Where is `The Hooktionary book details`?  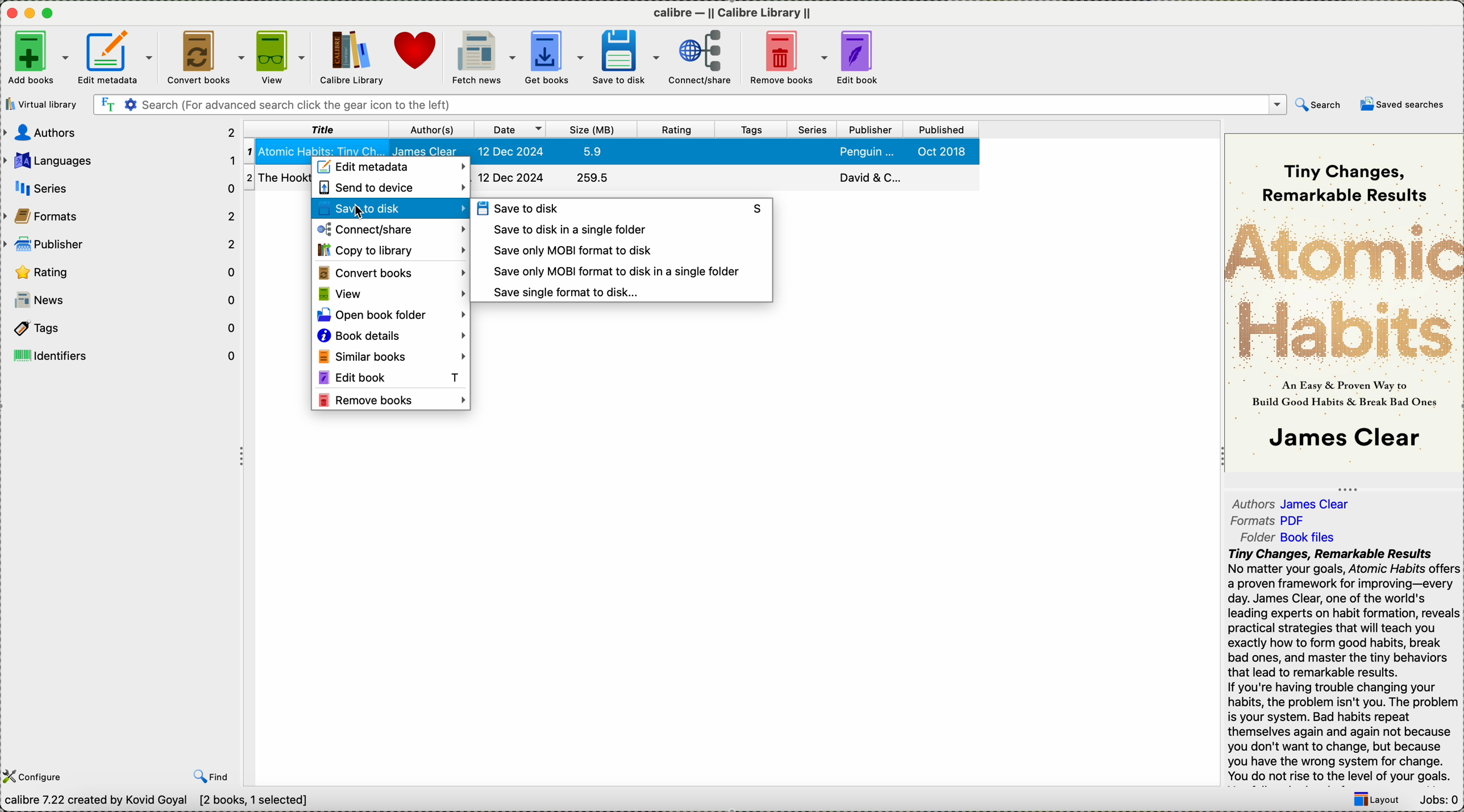
The Hooktionary book details is located at coordinates (277, 177).